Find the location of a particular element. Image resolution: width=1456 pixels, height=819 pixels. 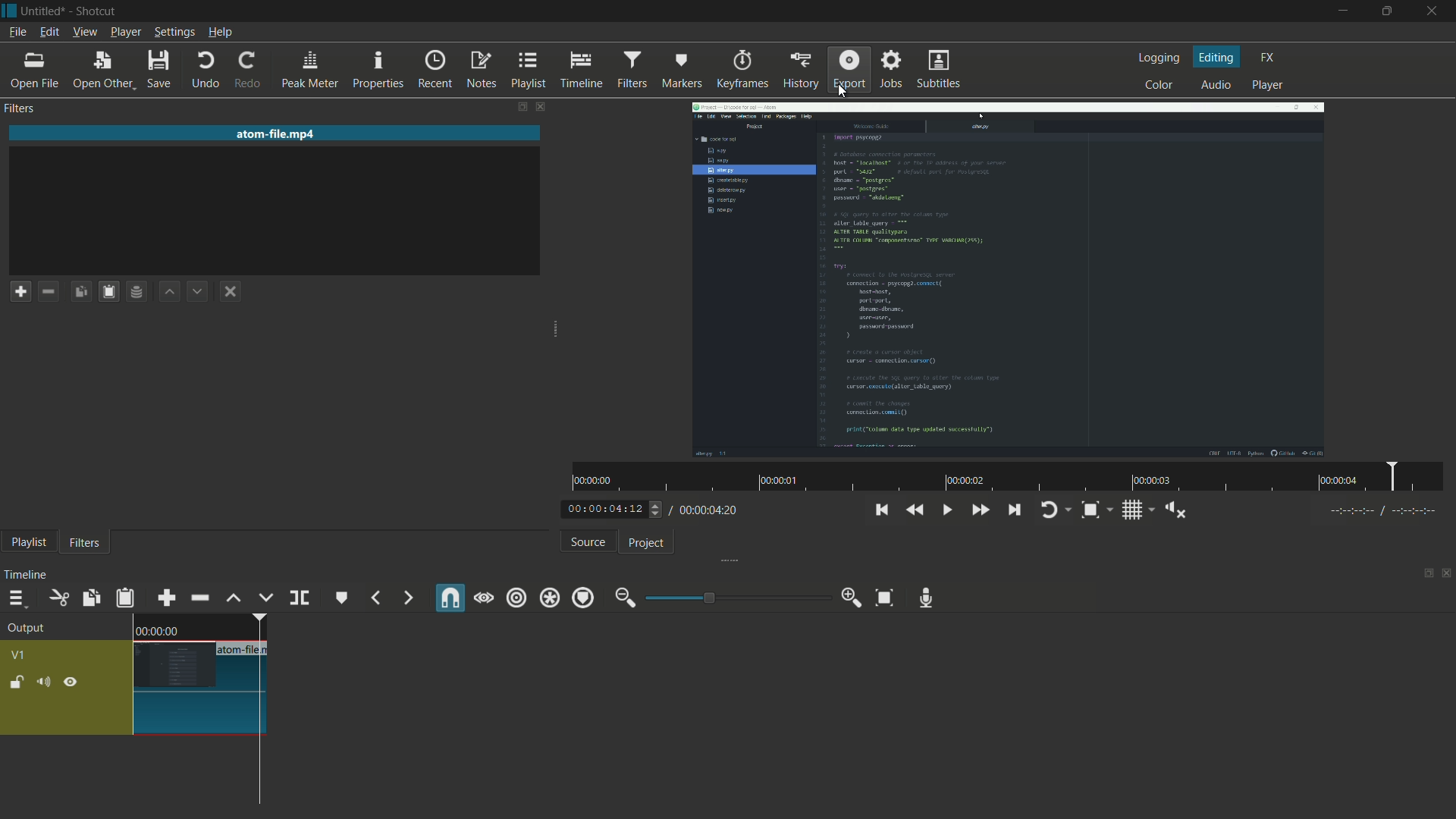

scrub while dragging is located at coordinates (485, 599).